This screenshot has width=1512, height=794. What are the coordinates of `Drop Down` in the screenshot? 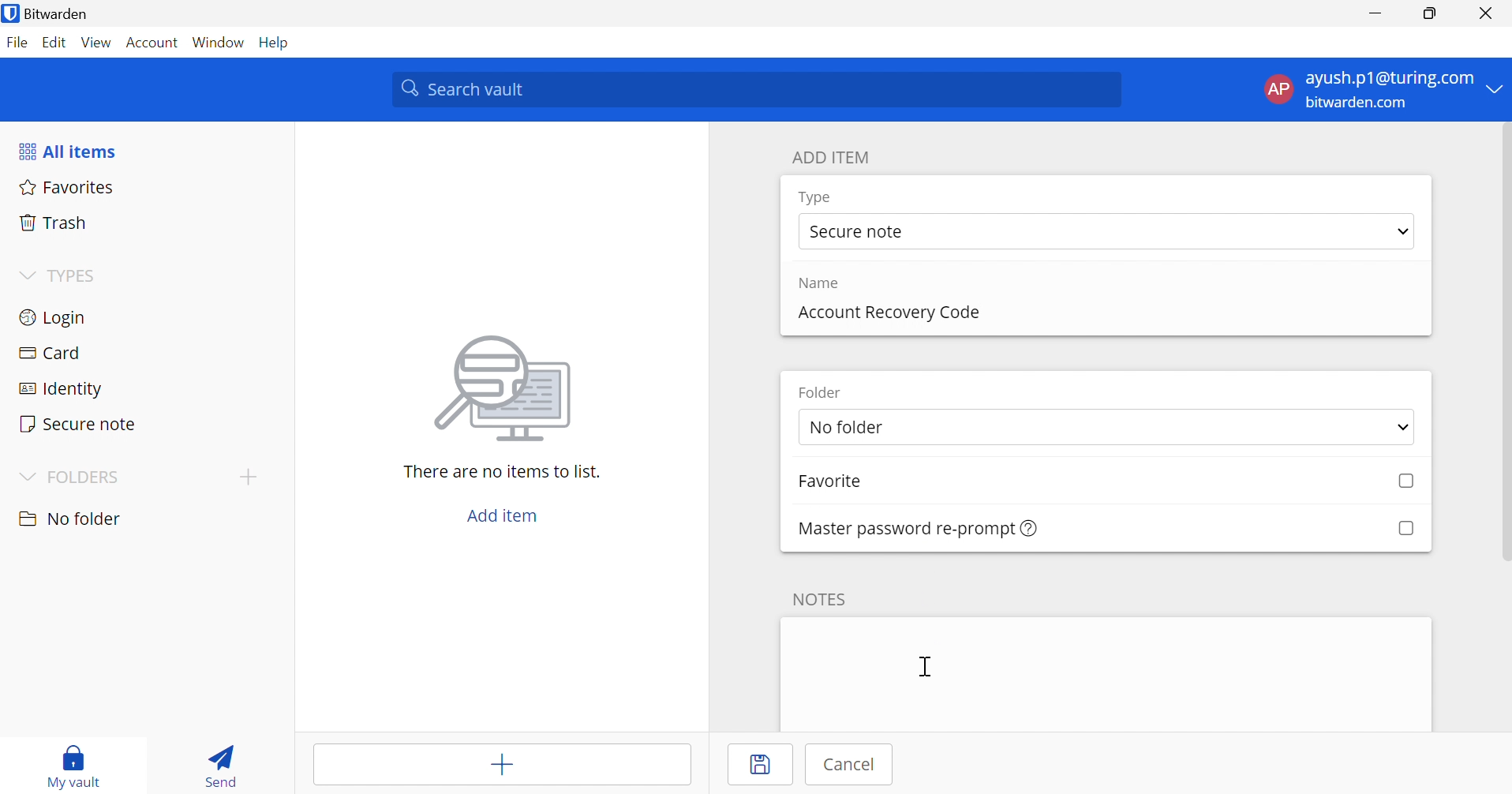 It's located at (1403, 233).